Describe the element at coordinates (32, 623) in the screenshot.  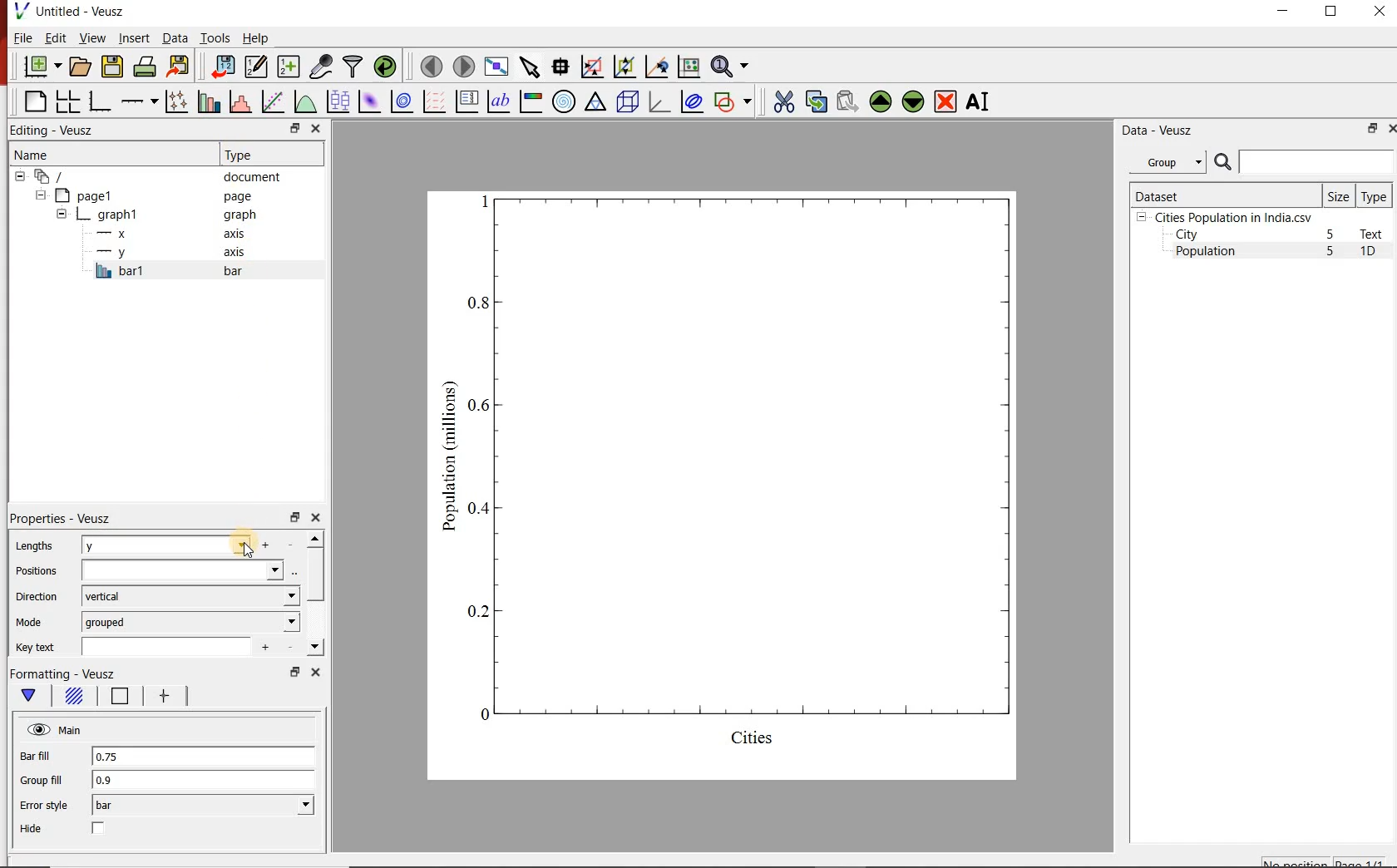
I see `Mode` at that location.